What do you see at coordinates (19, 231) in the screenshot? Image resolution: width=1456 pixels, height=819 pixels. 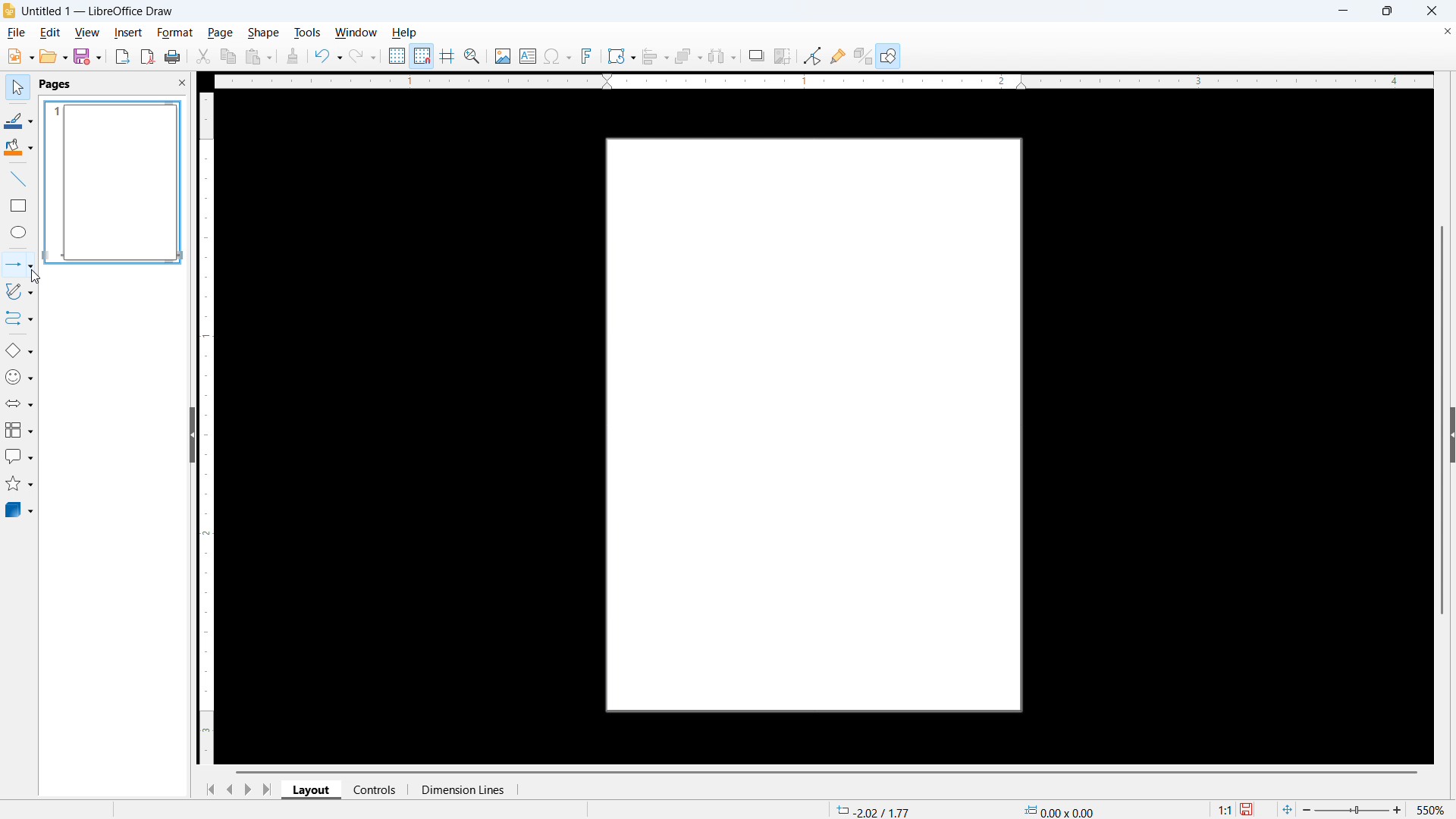 I see `Ellipse ` at bounding box center [19, 231].